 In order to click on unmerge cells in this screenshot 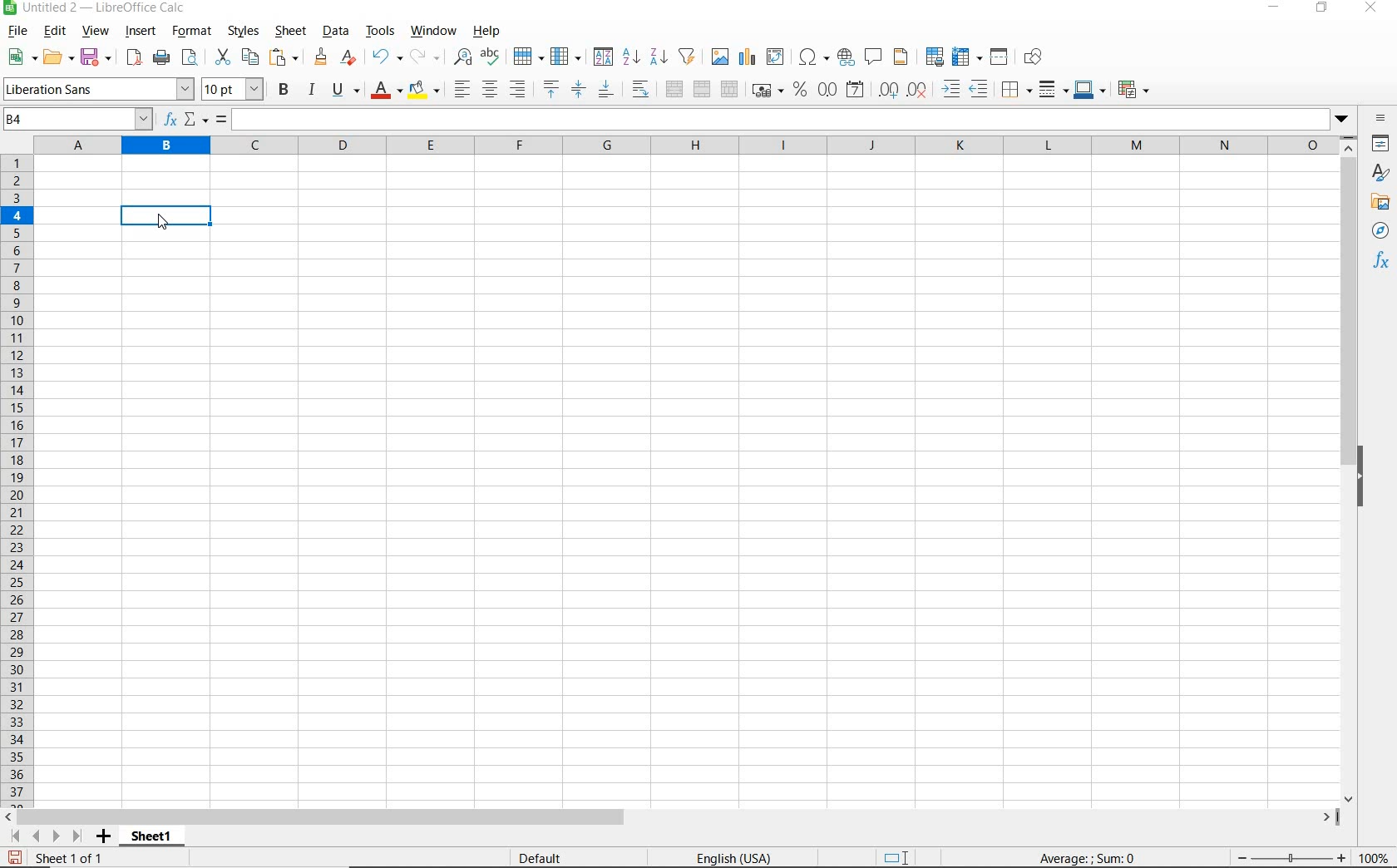, I will do `click(728, 91)`.